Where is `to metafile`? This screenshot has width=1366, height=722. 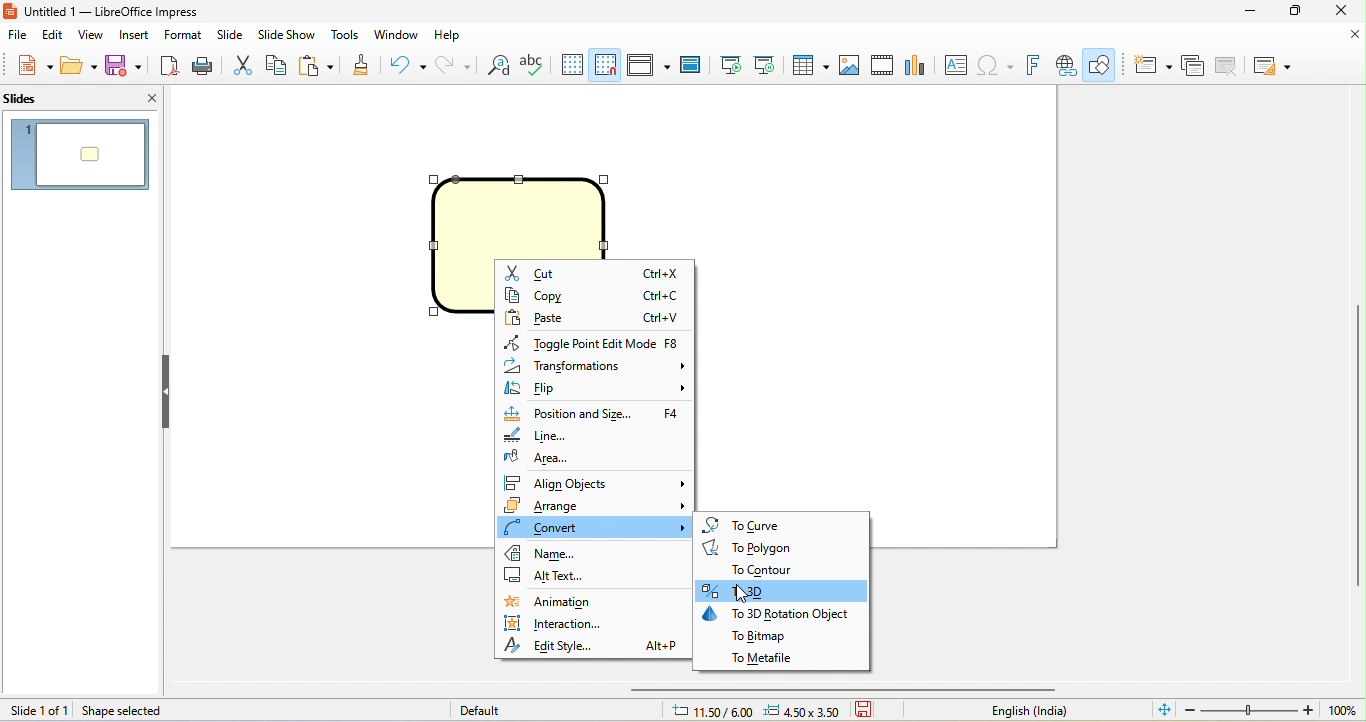 to metafile is located at coordinates (764, 658).